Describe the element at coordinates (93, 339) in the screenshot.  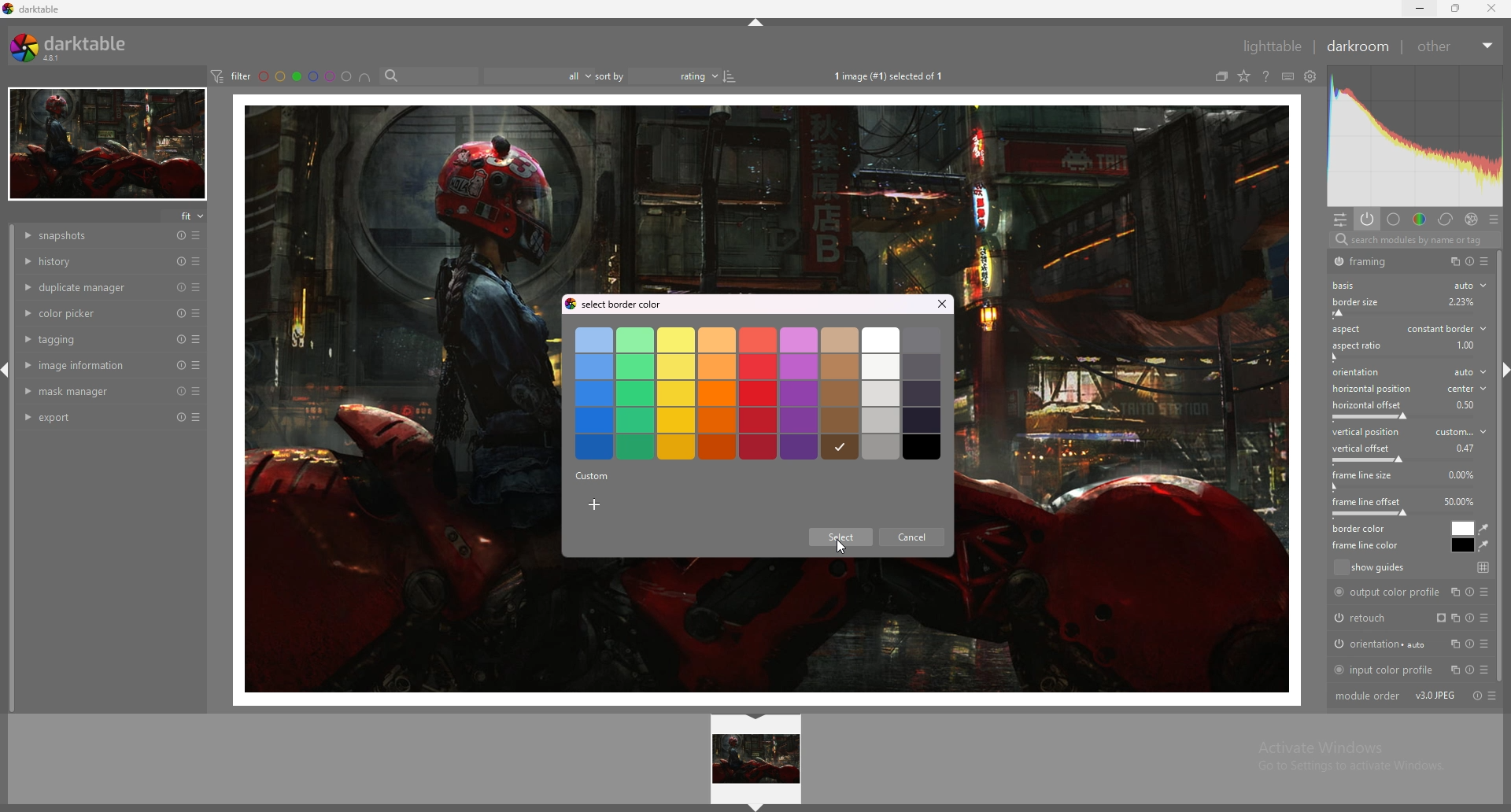
I see `tagging` at that location.